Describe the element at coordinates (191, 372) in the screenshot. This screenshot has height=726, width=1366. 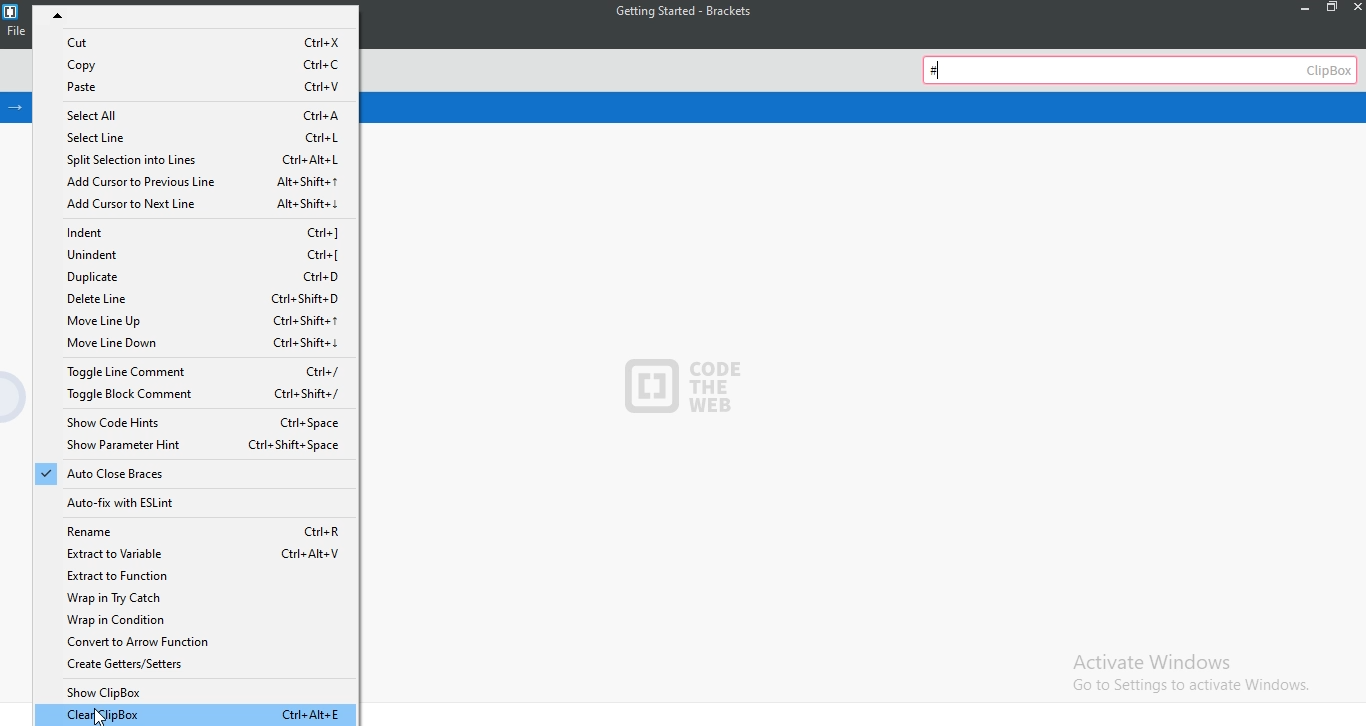
I see `Toggle Line Comment` at that location.